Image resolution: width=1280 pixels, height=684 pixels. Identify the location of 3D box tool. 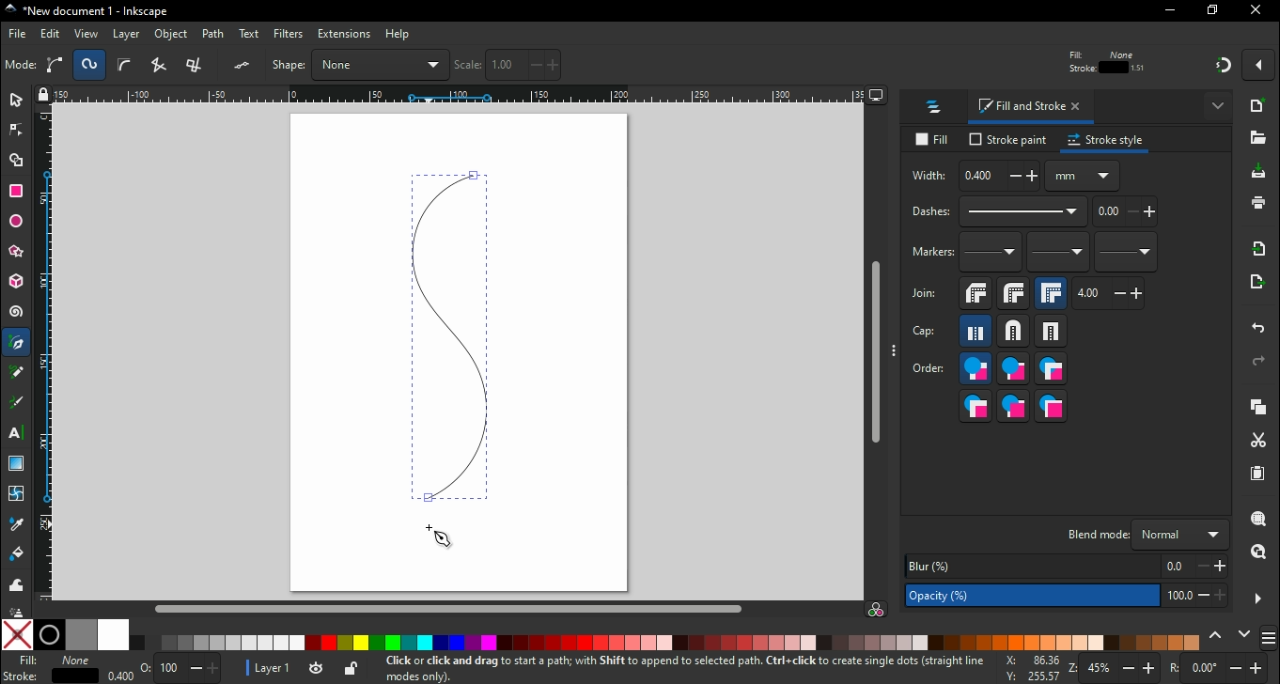
(16, 284).